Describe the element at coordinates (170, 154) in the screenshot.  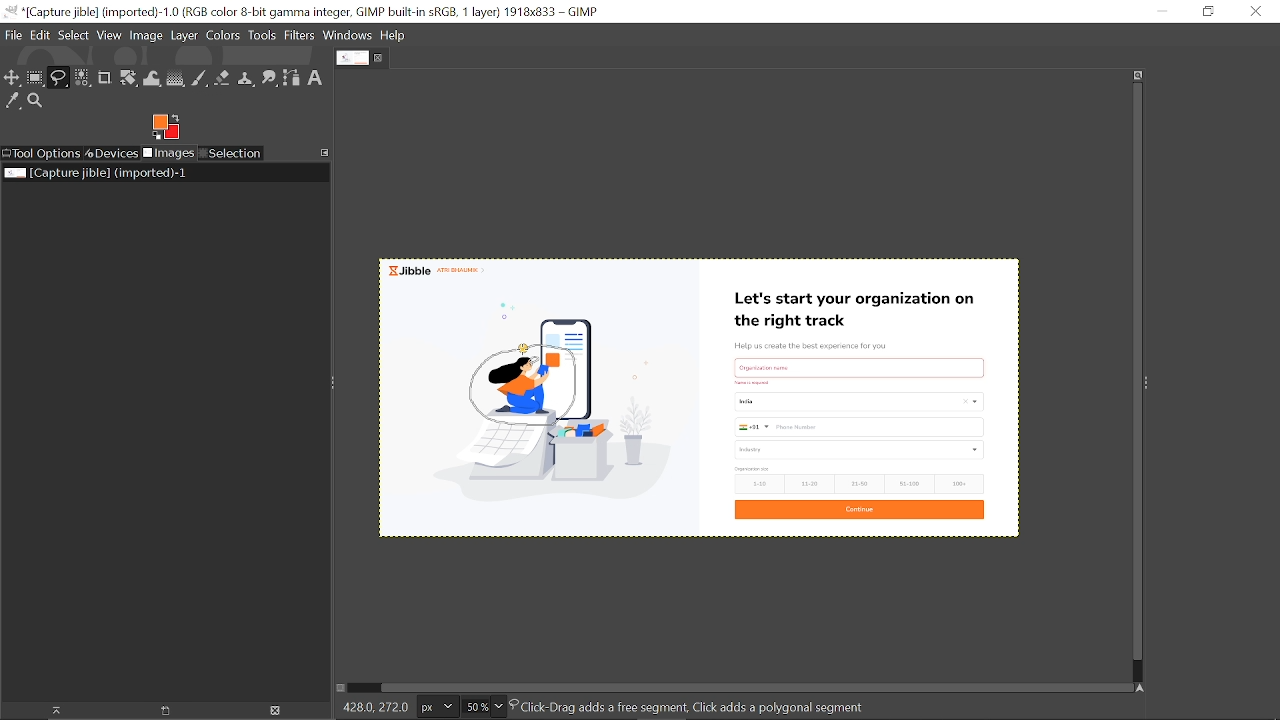
I see `Images` at that location.